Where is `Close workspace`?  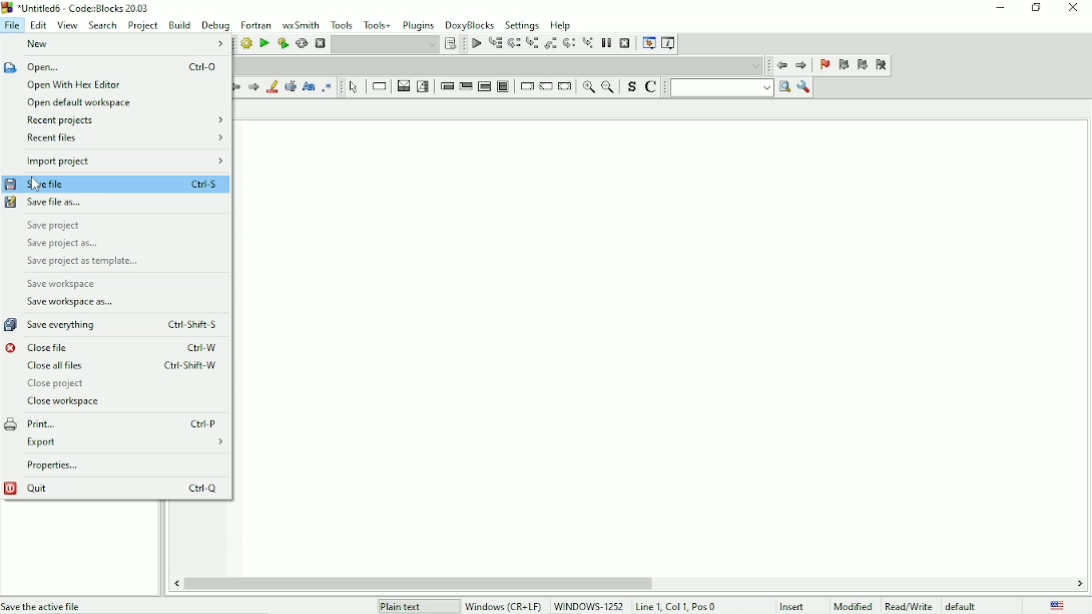
Close workspace is located at coordinates (66, 402).